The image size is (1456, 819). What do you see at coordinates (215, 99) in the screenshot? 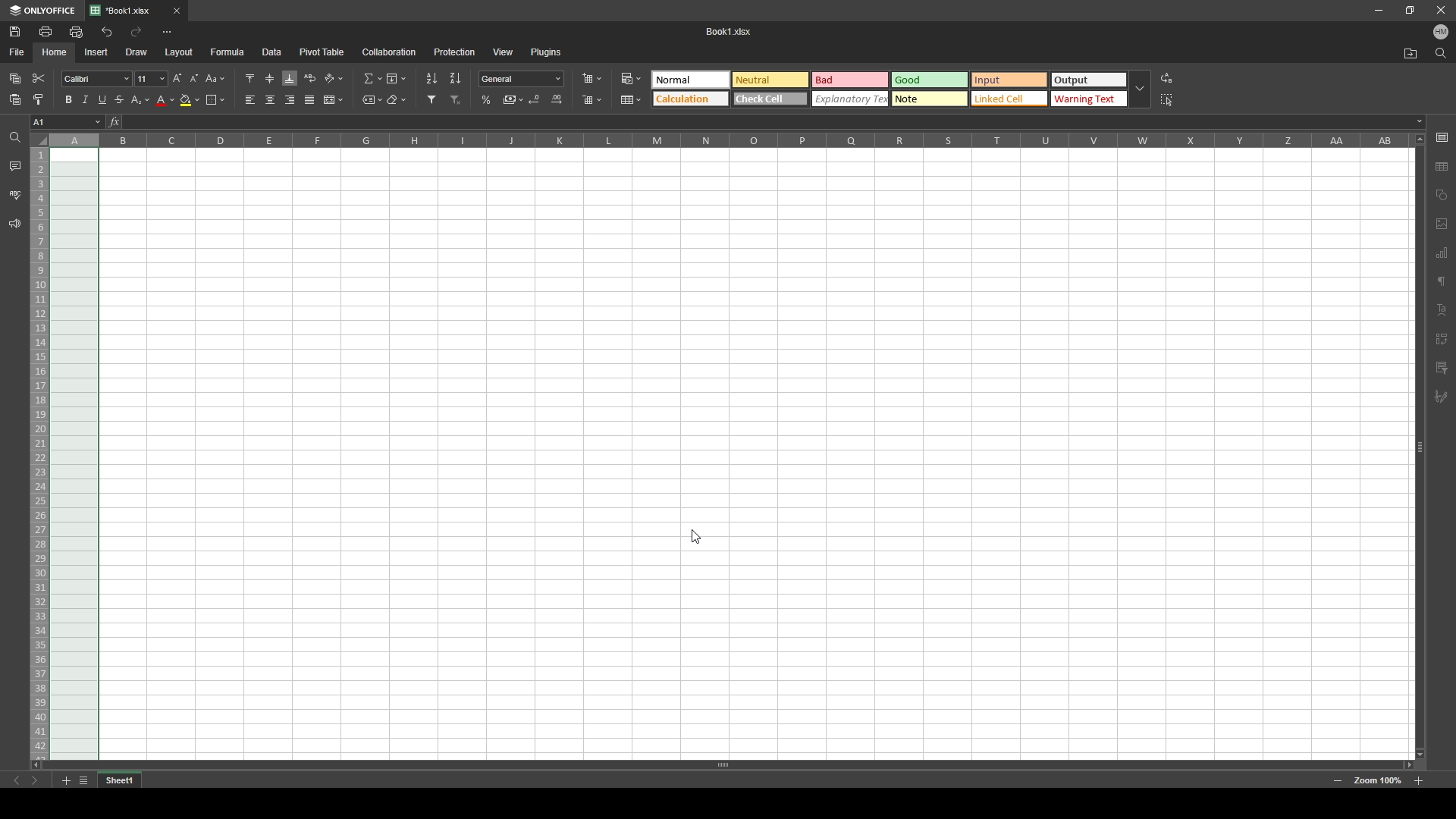
I see `borders` at bounding box center [215, 99].